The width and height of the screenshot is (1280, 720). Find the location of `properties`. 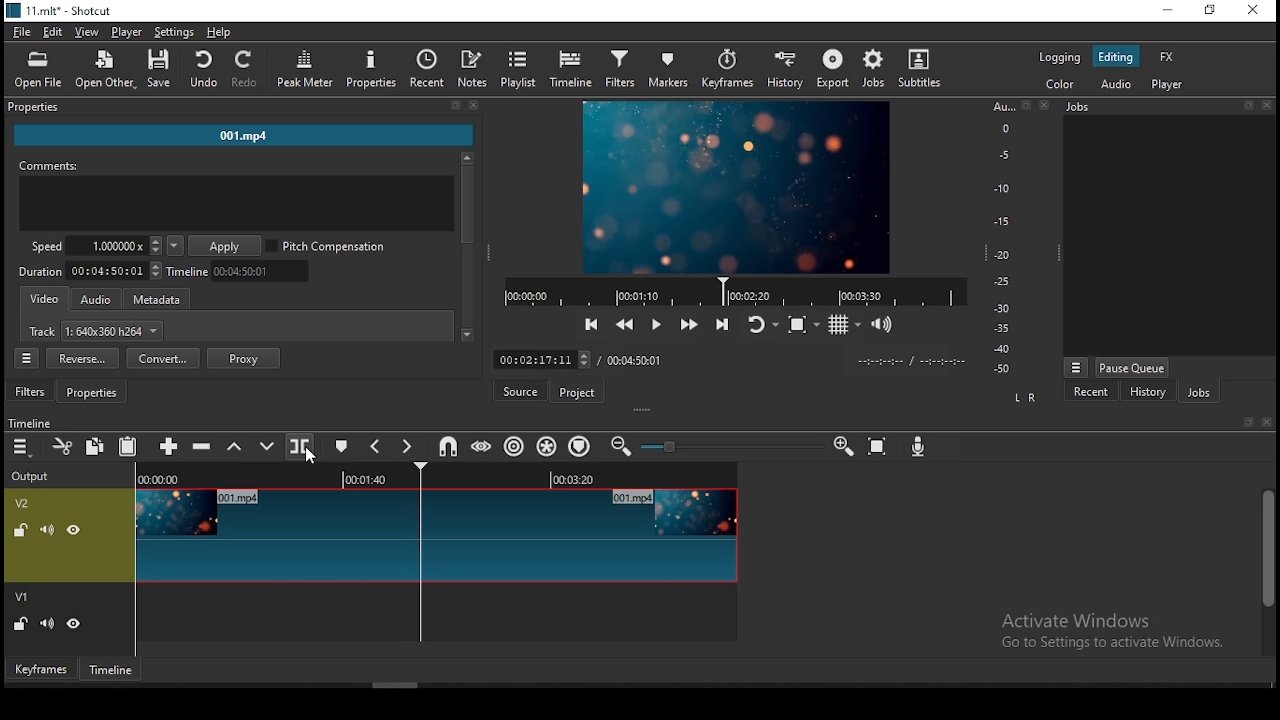

properties is located at coordinates (241, 108).